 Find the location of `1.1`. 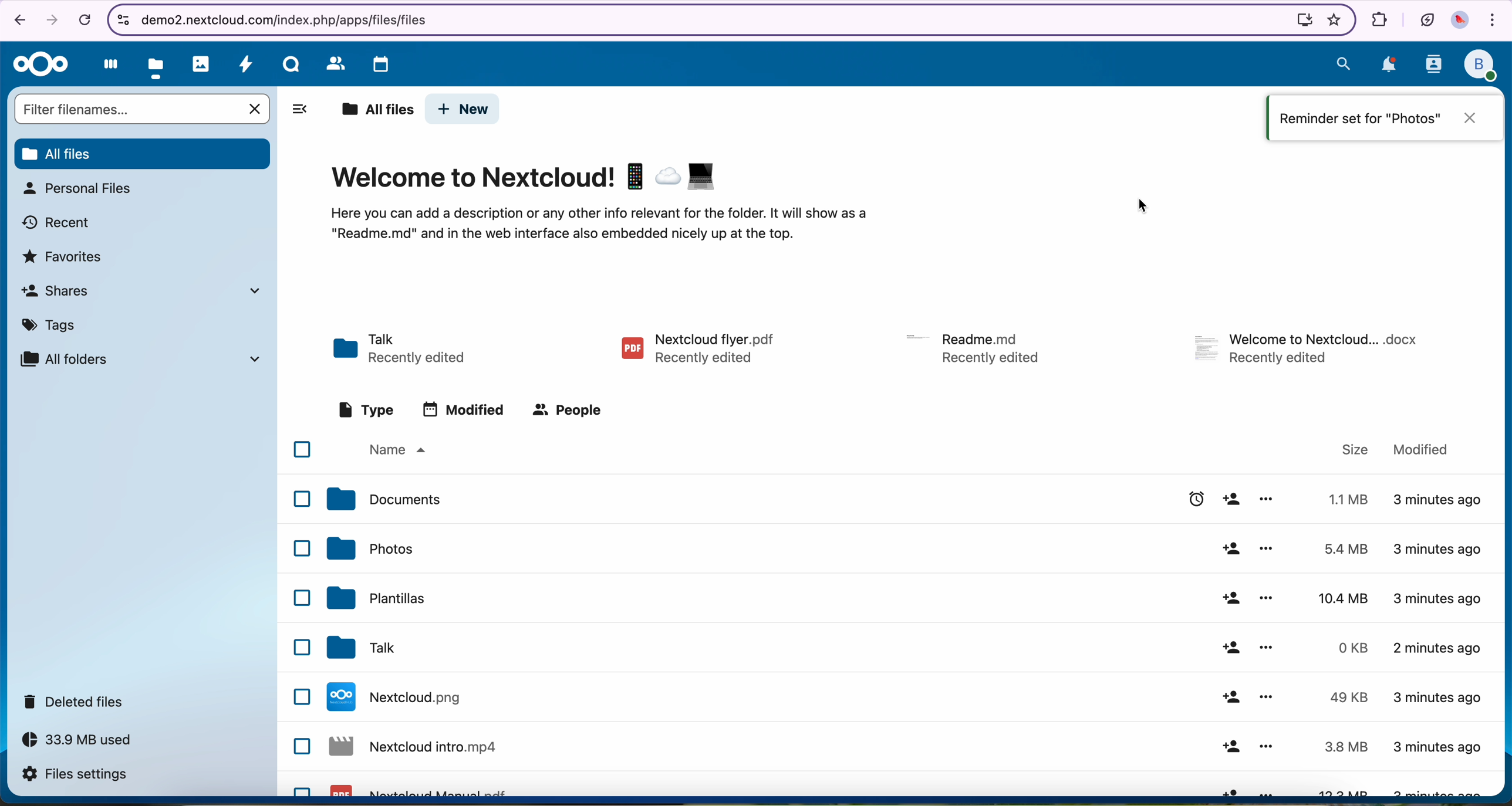

1.1 is located at coordinates (1344, 498).